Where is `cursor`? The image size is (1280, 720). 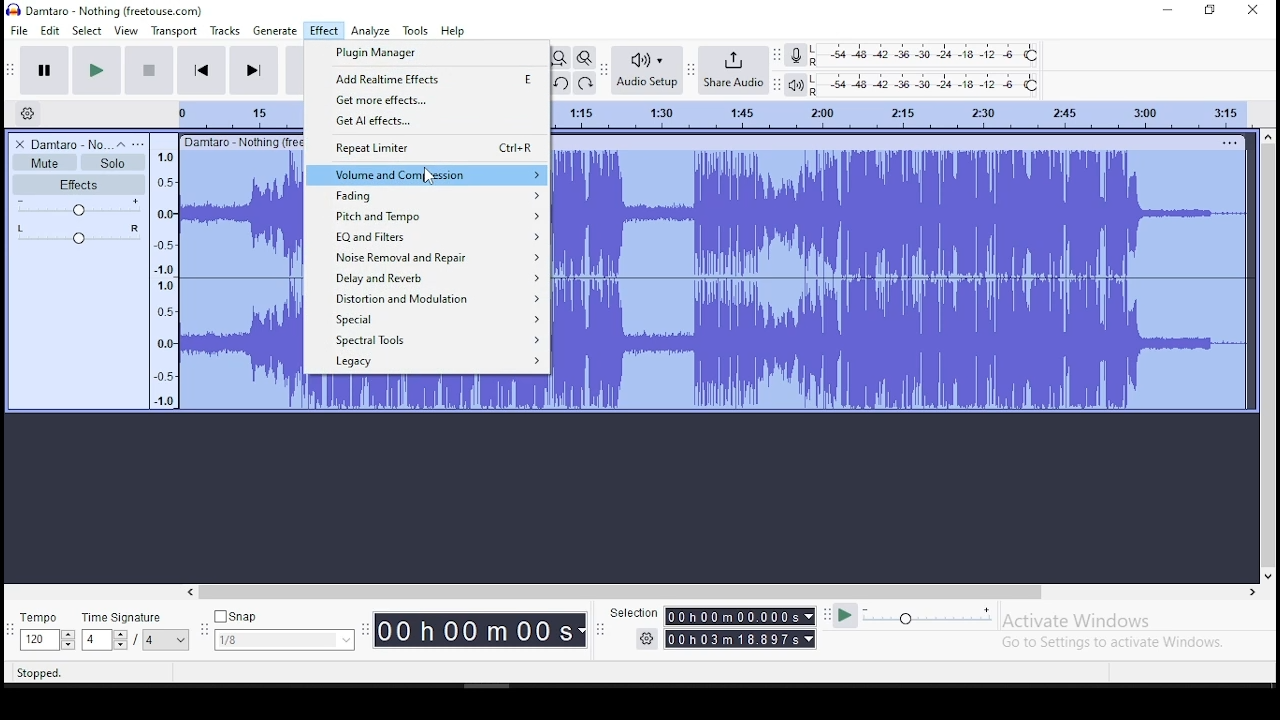 cursor is located at coordinates (429, 175).